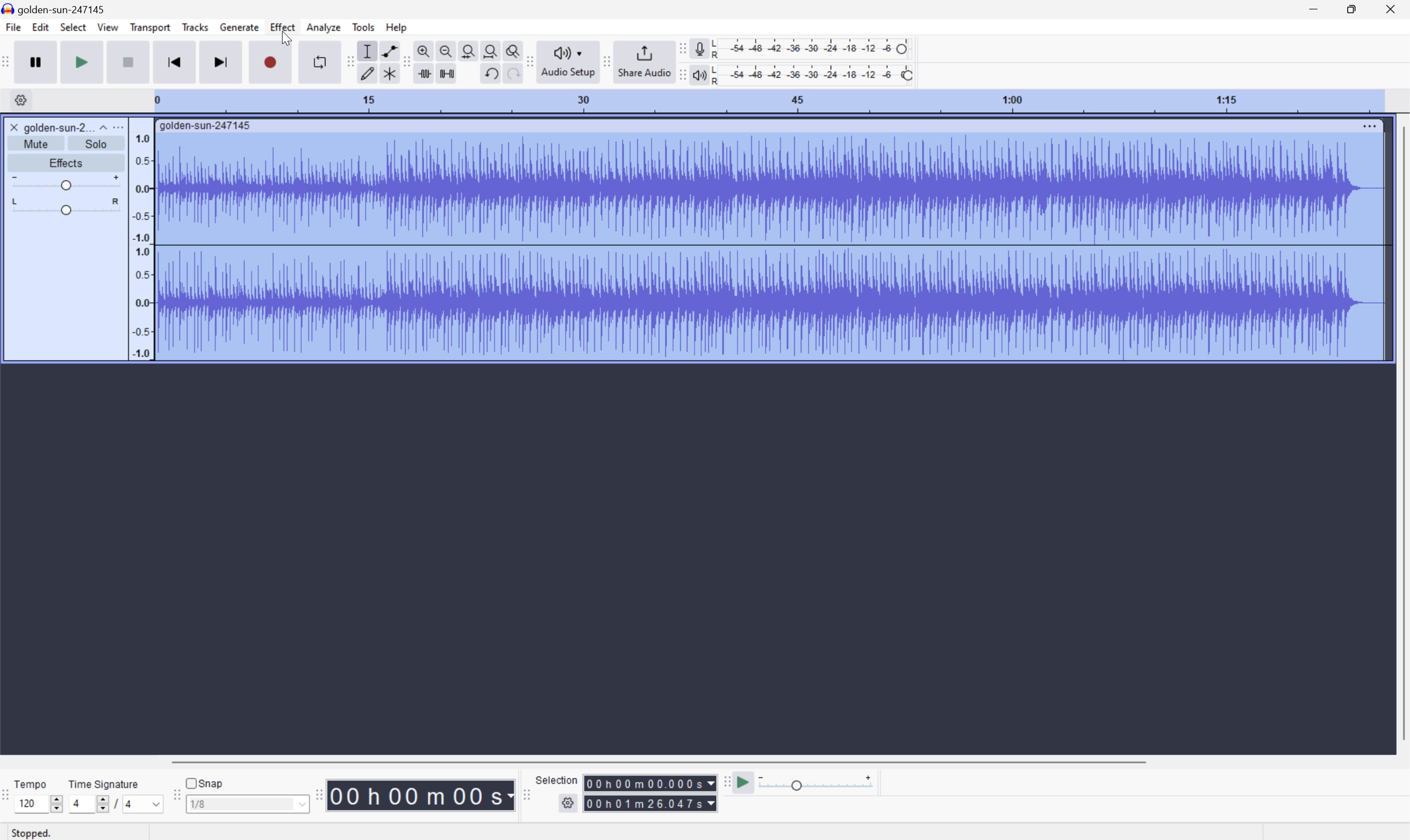  I want to click on View, so click(109, 28).